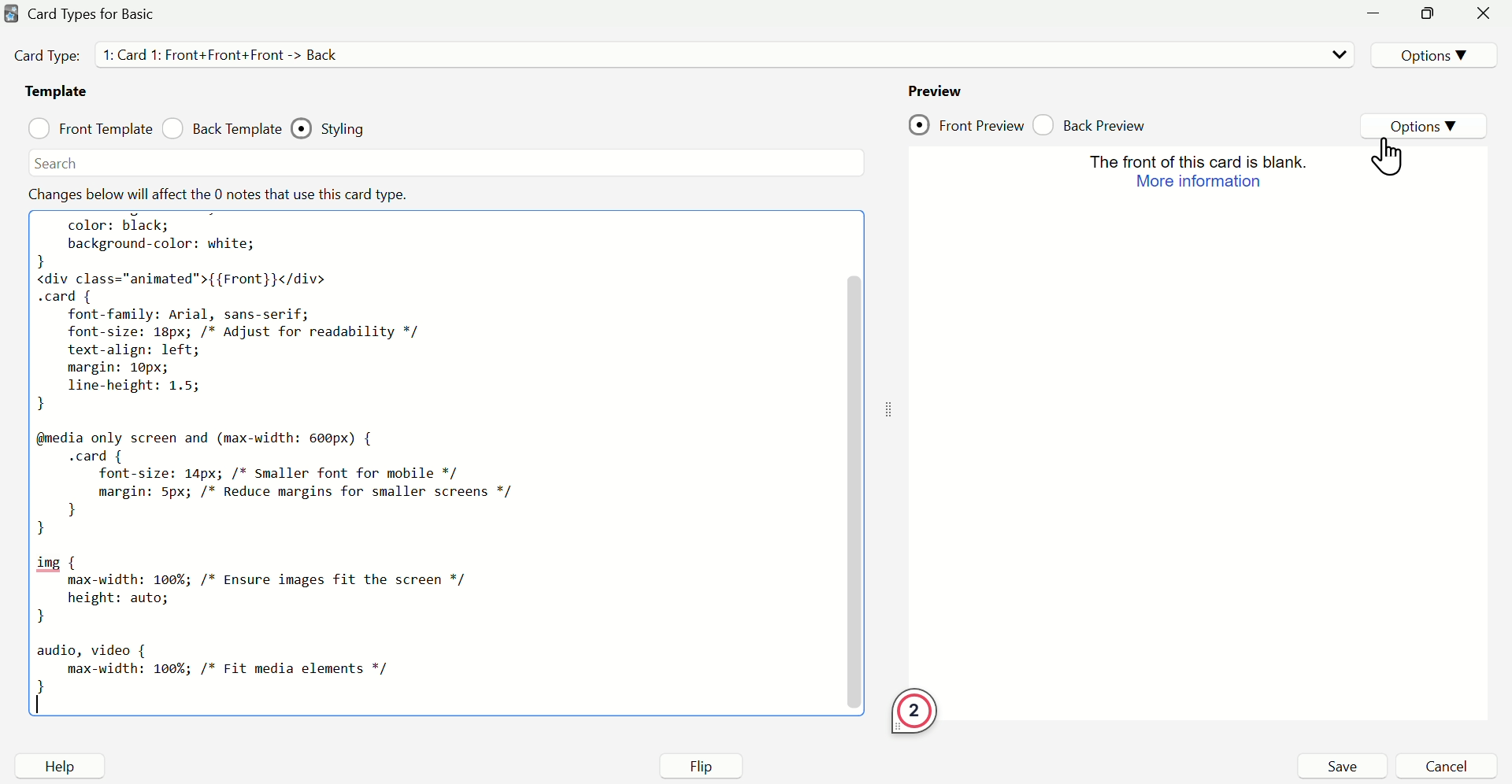 This screenshot has width=1512, height=784. I want to click on Dropdown, so click(1336, 54).